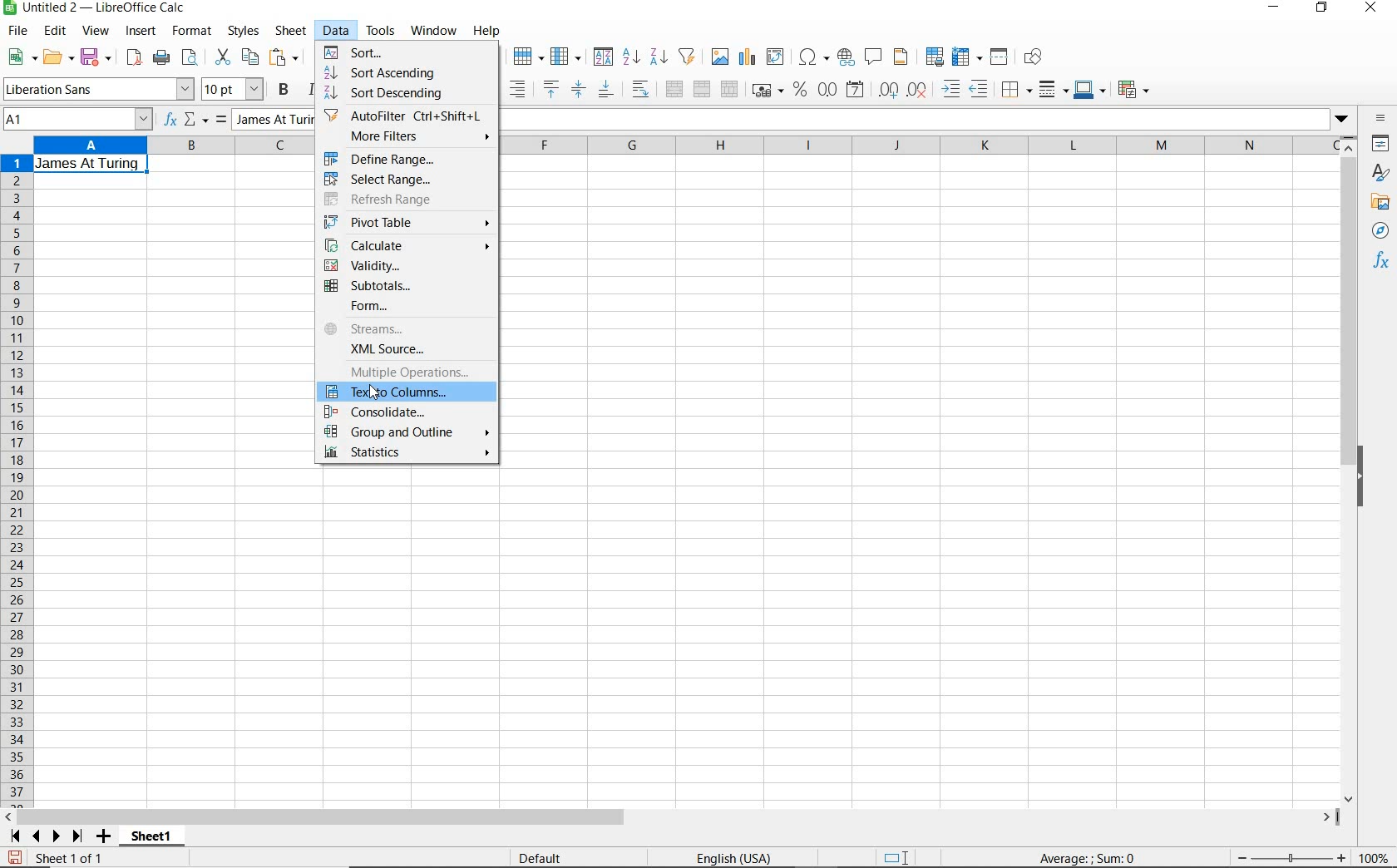 The height and width of the screenshot is (868, 1397). I want to click on close, so click(1374, 8).